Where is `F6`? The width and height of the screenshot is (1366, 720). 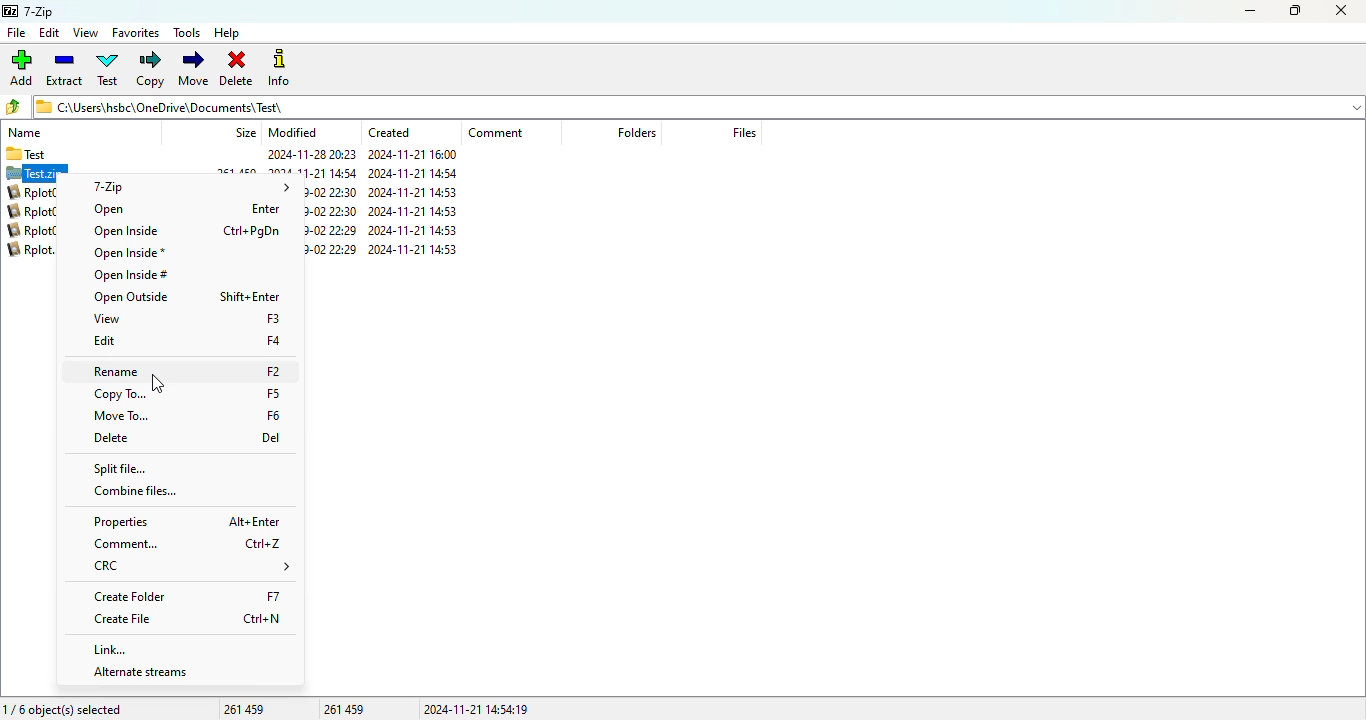
F6 is located at coordinates (275, 416).